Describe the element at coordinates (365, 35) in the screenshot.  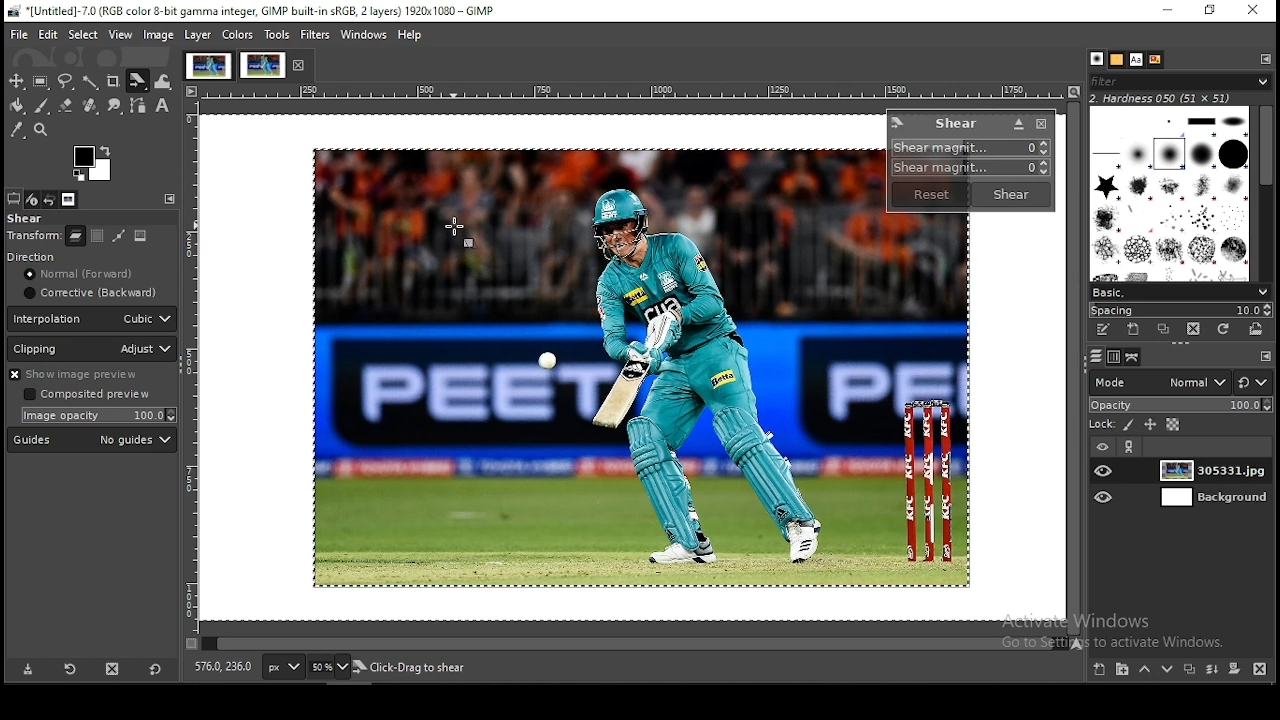
I see `windows` at that location.